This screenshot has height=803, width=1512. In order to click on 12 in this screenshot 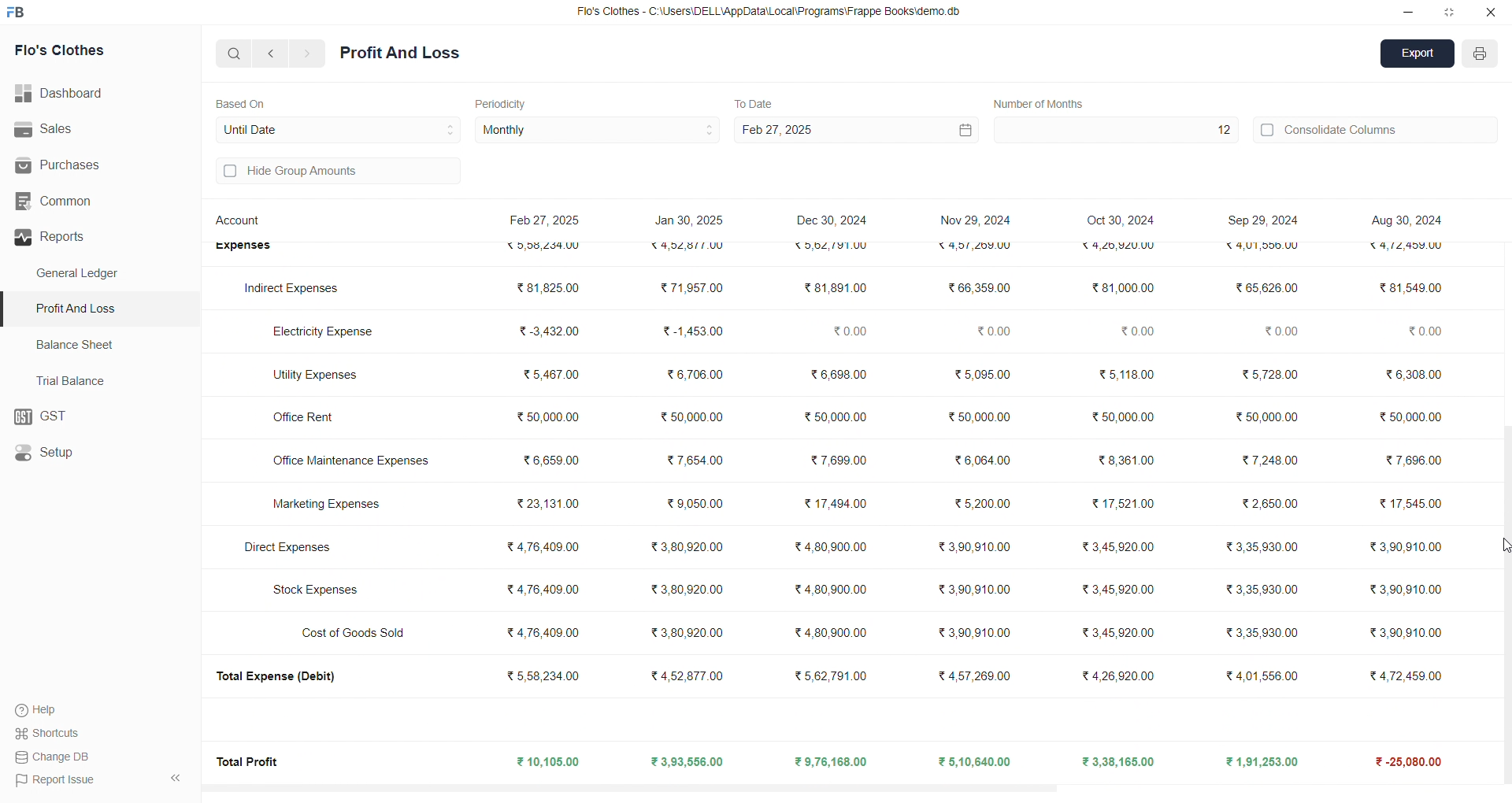, I will do `click(1114, 130)`.